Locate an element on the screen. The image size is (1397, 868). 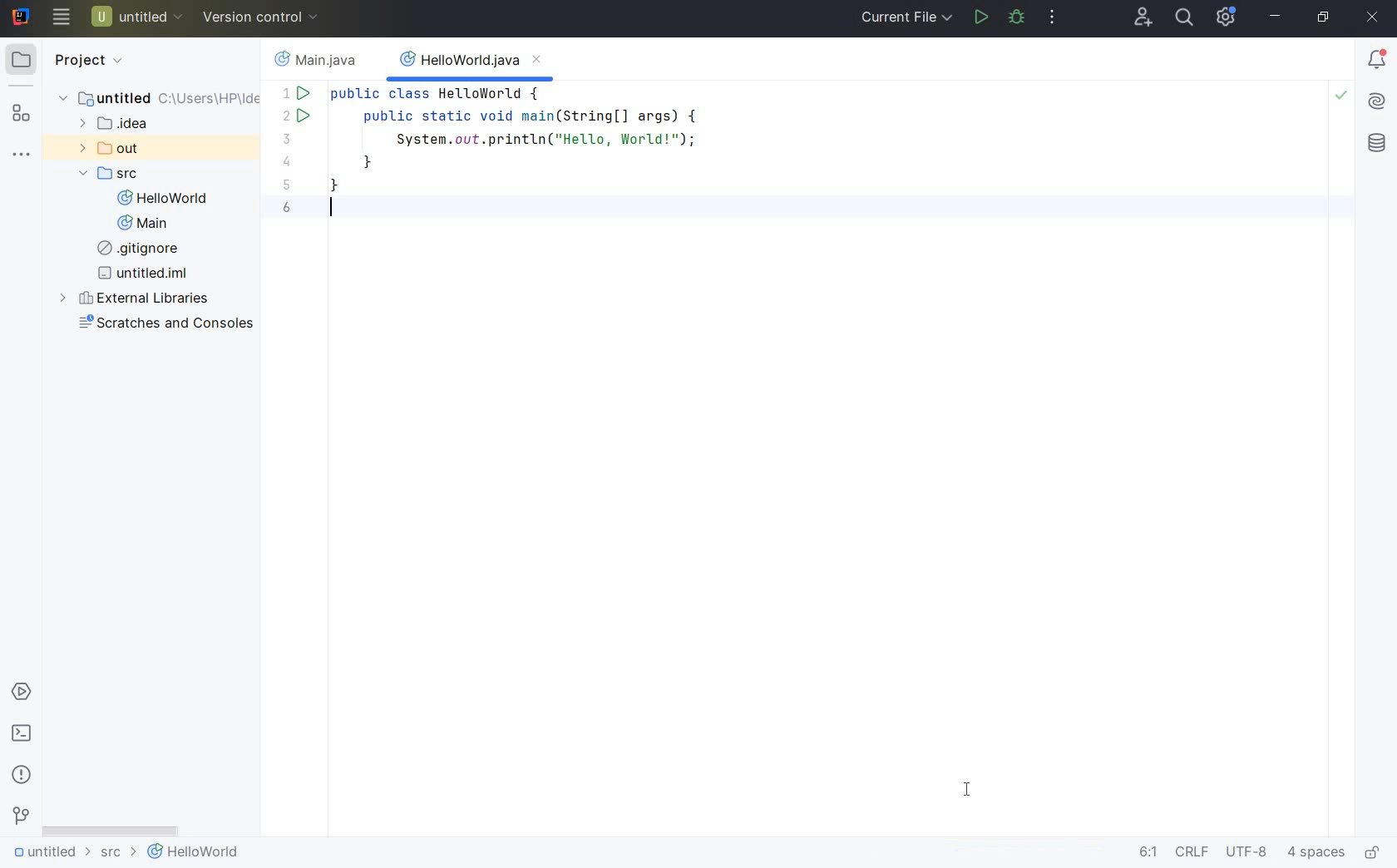
minimize is located at coordinates (1273, 16).